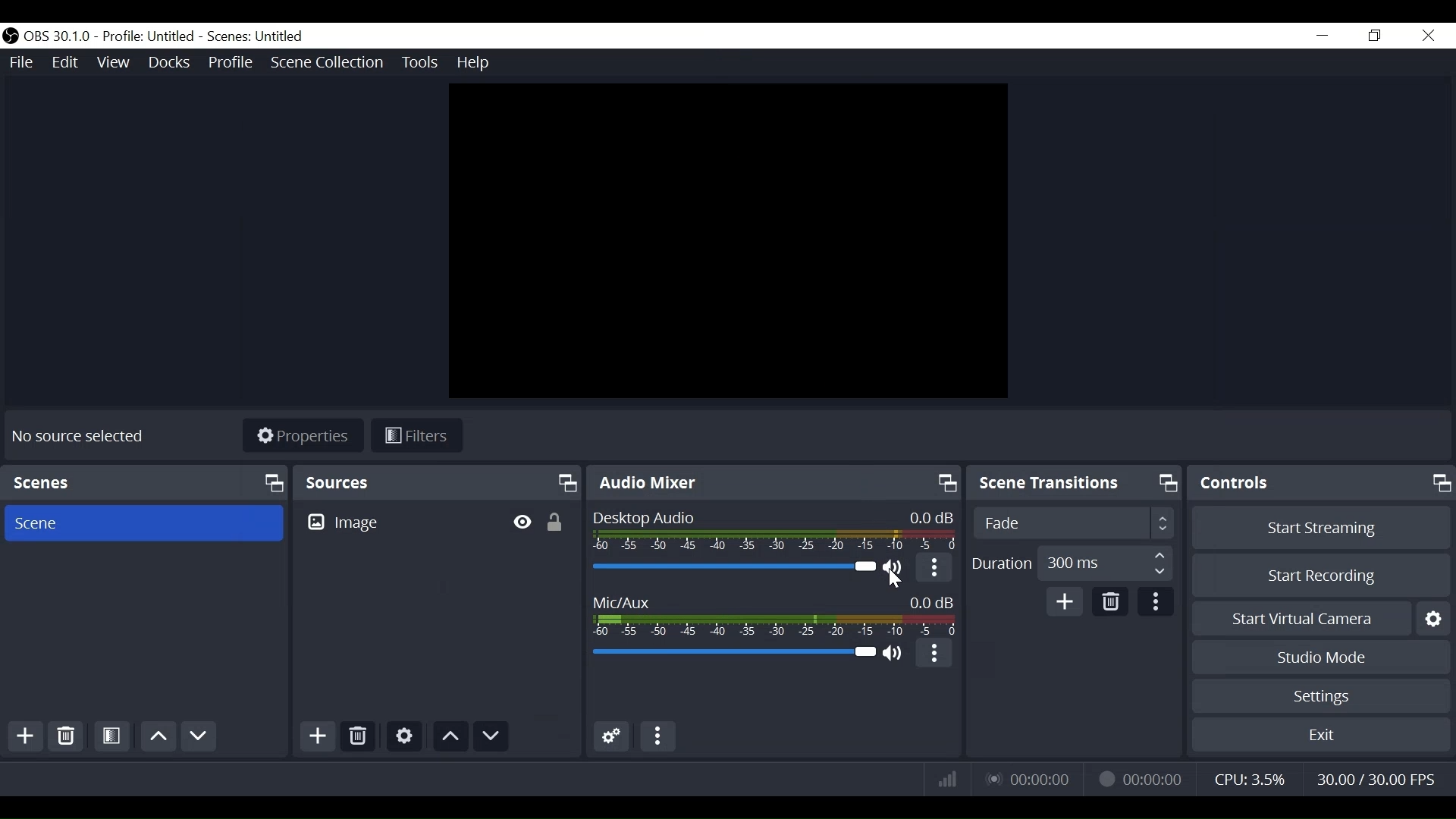 This screenshot has height=819, width=1456. I want to click on Filter, so click(420, 436).